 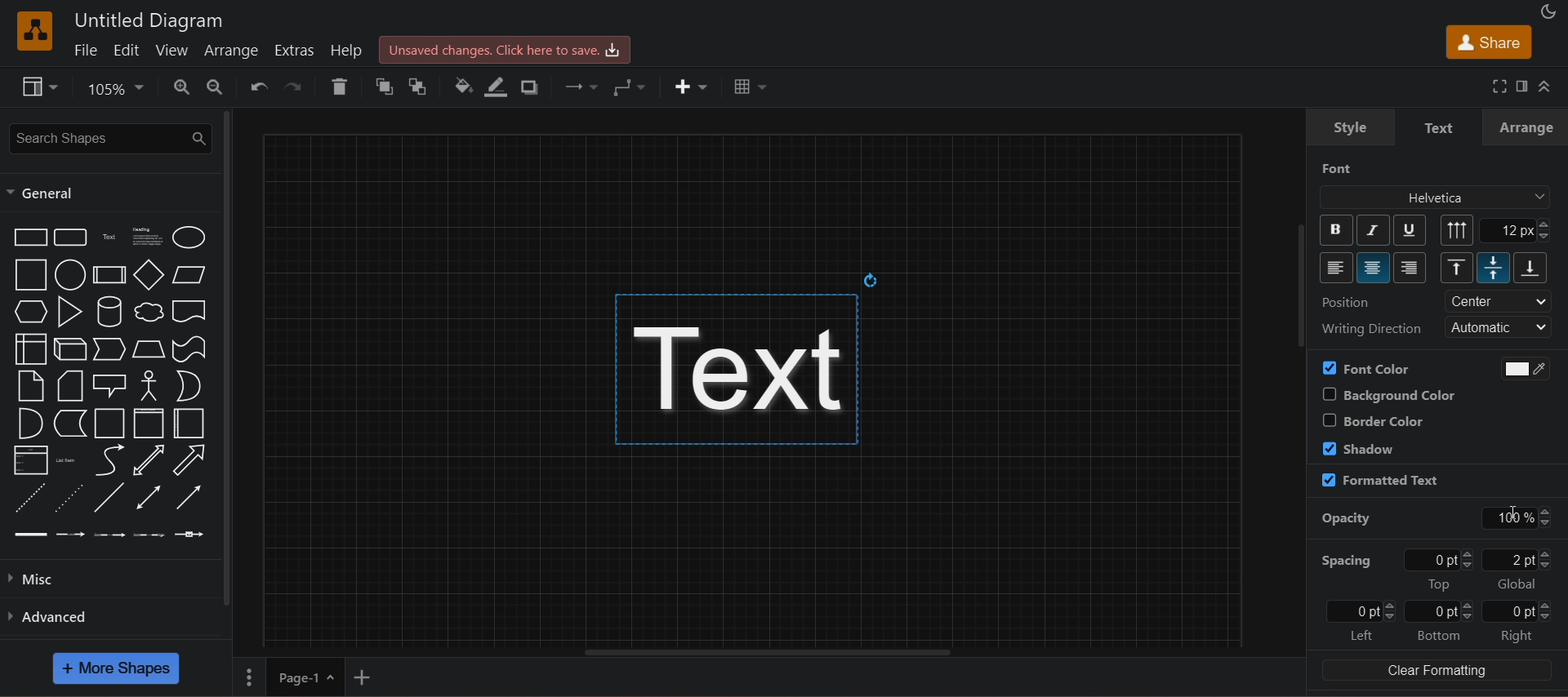 I want to click on shadow, so click(x=1359, y=447).